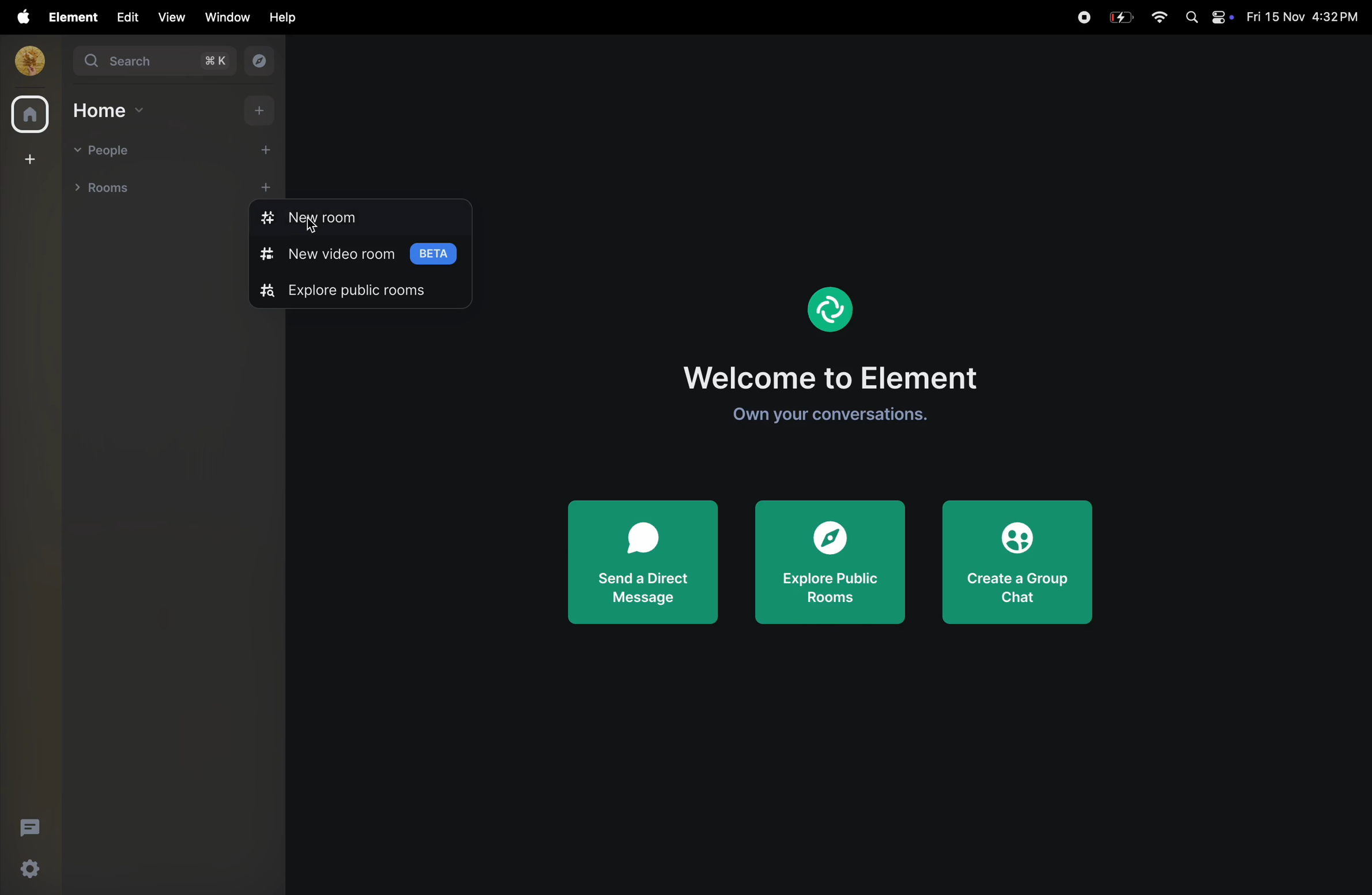 Image resolution: width=1372 pixels, height=895 pixels. What do you see at coordinates (843, 414) in the screenshot?
I see `own your conversations` at bounding box center [843, 414].